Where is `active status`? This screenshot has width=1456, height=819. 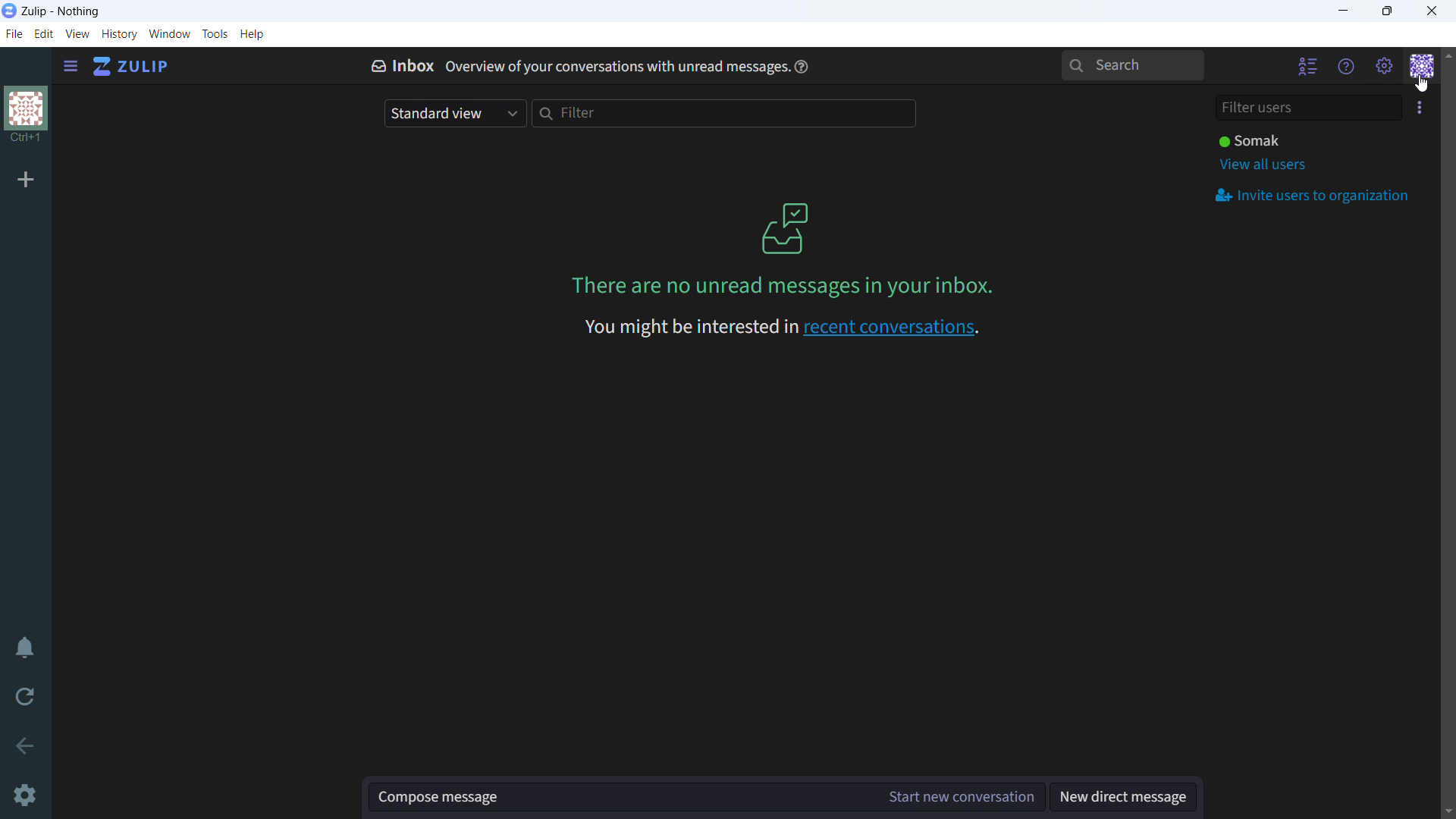
active status is located at coordinates (1248, 140).